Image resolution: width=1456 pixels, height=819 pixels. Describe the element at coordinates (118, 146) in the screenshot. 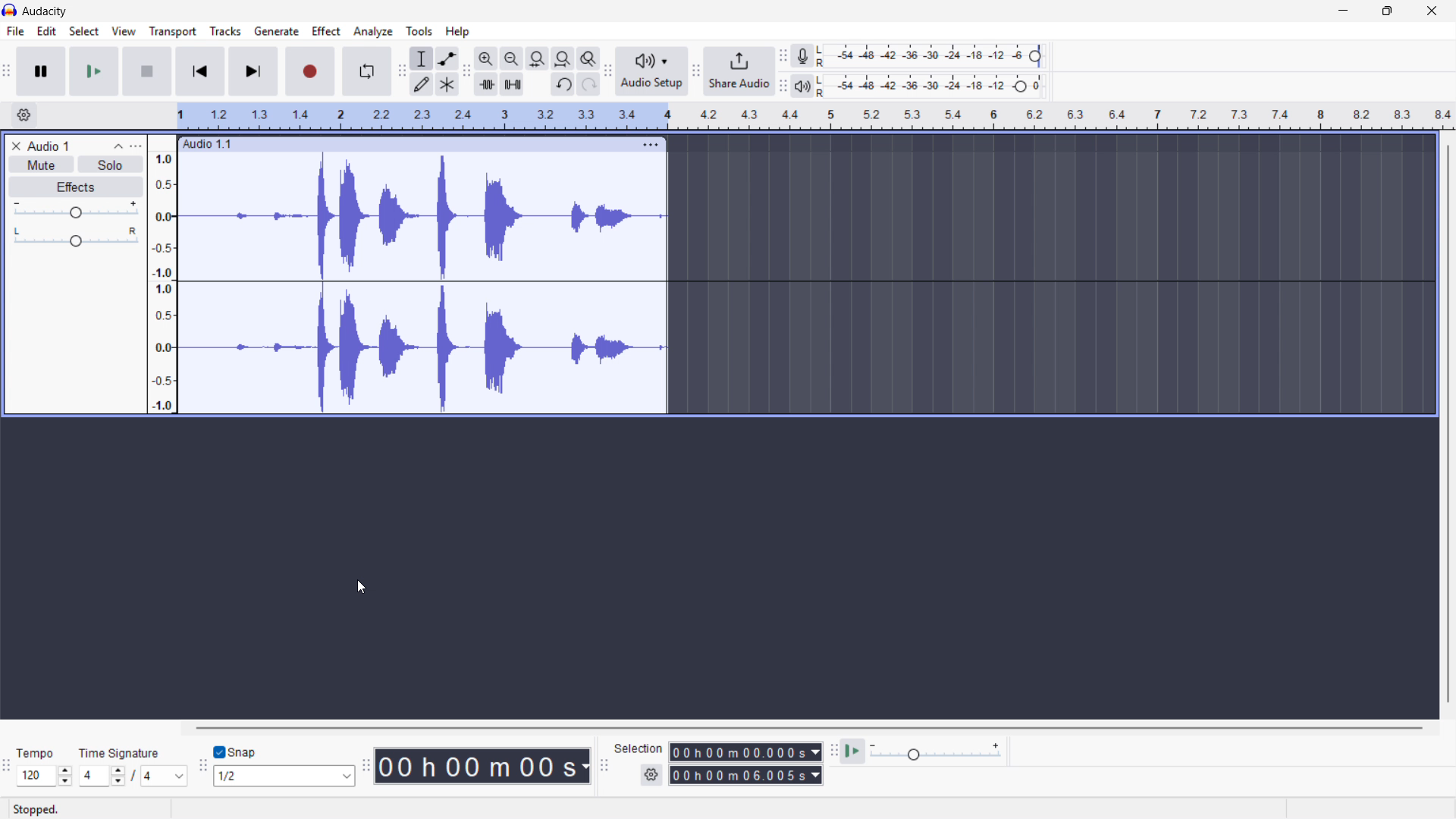

I see `Collapse ` at that location.